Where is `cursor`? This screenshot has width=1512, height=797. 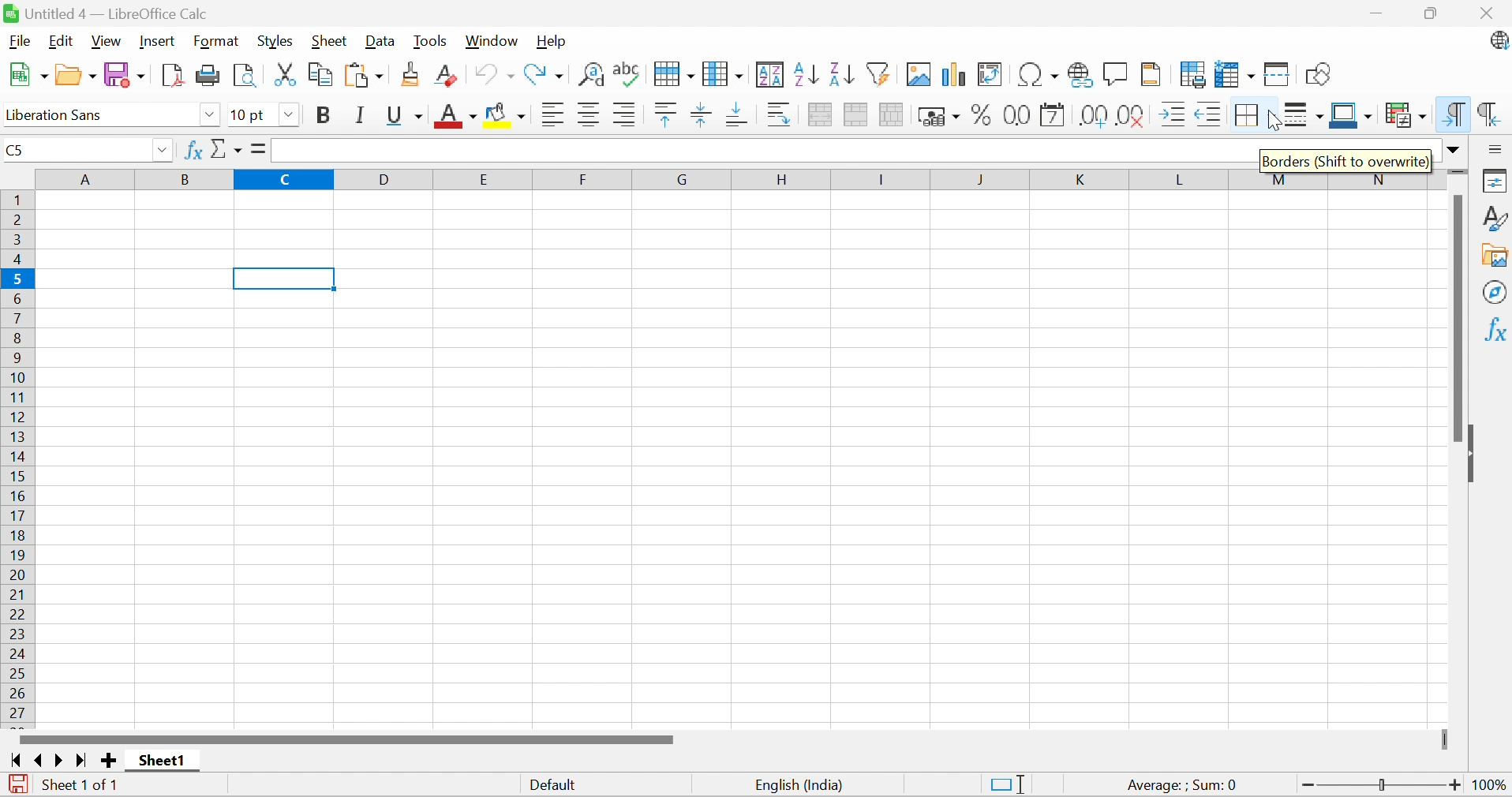 cursor is located at coordinates (1278, 121).